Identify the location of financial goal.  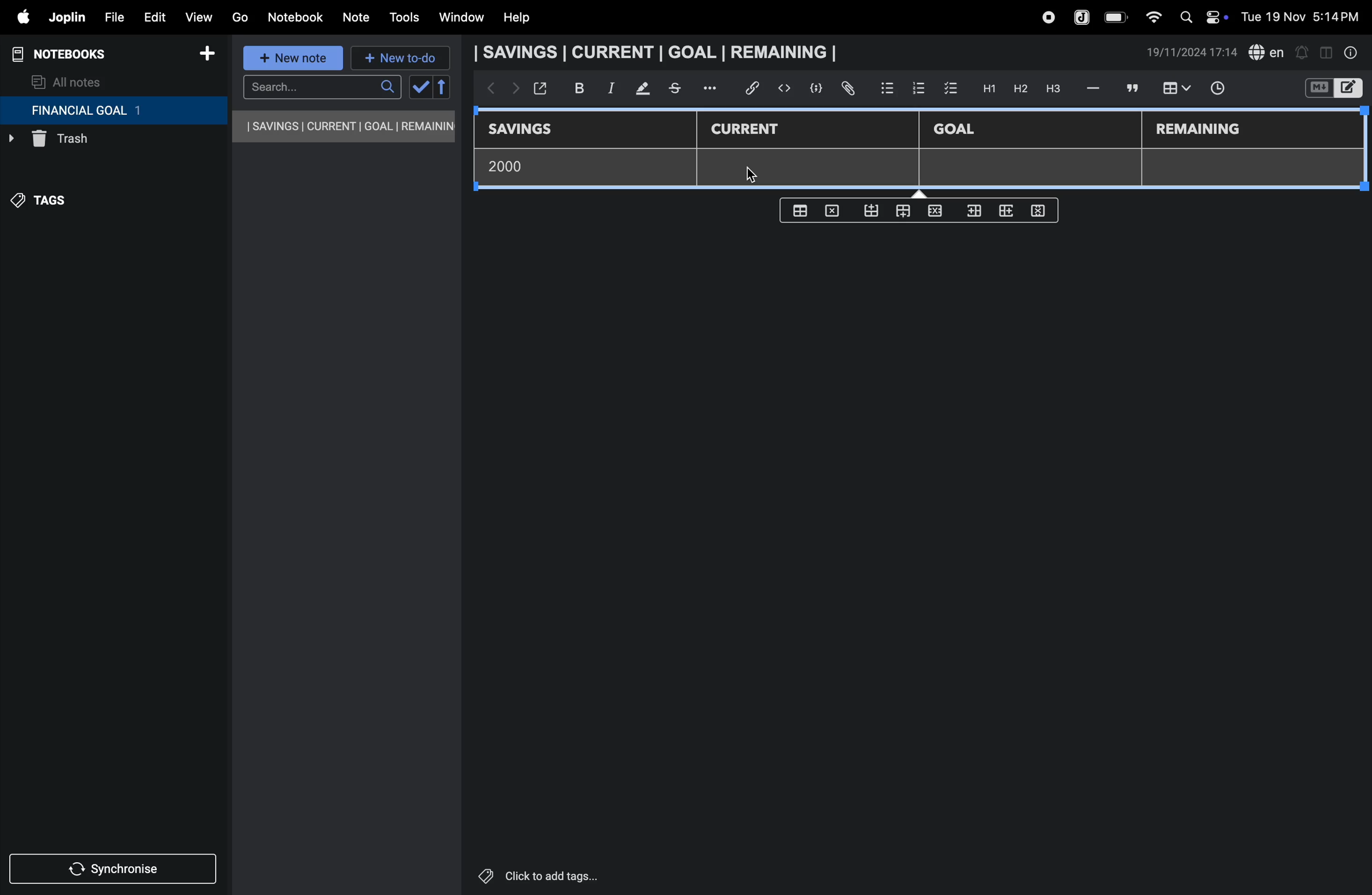
(113, 111).